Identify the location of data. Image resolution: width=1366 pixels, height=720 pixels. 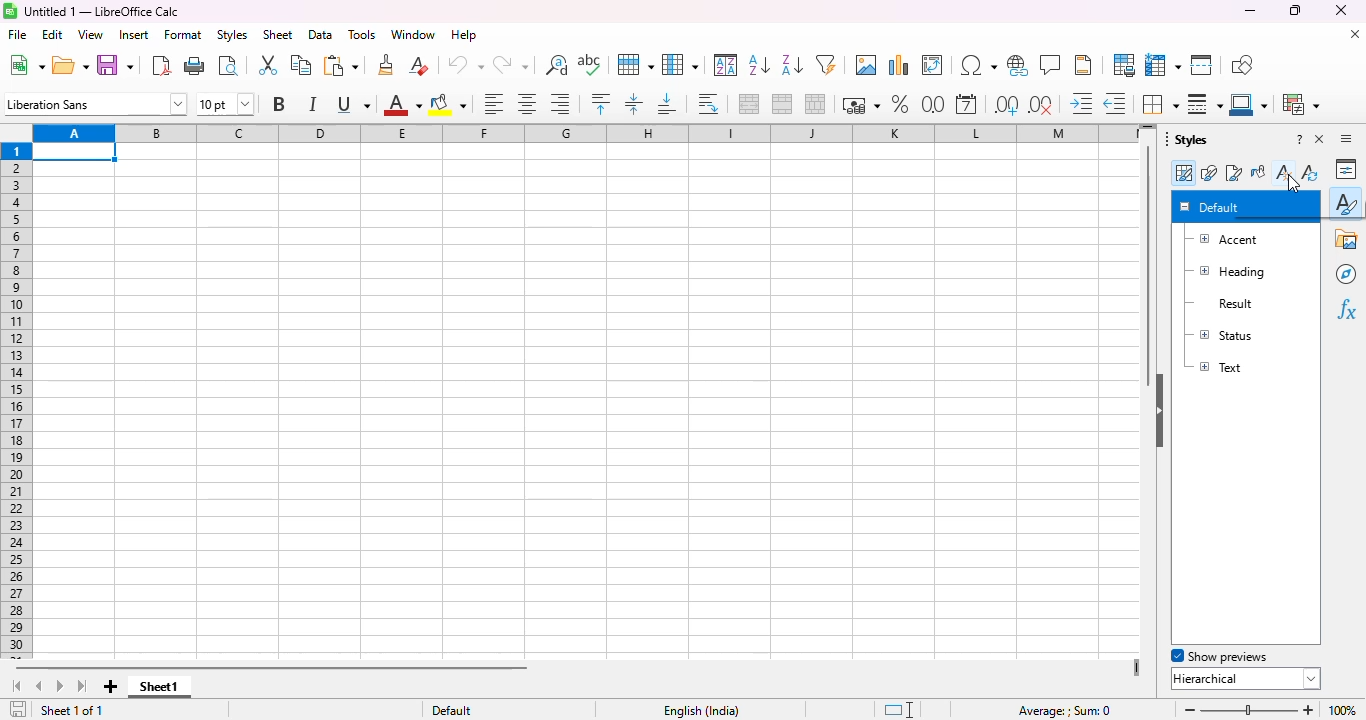
(321, 35).